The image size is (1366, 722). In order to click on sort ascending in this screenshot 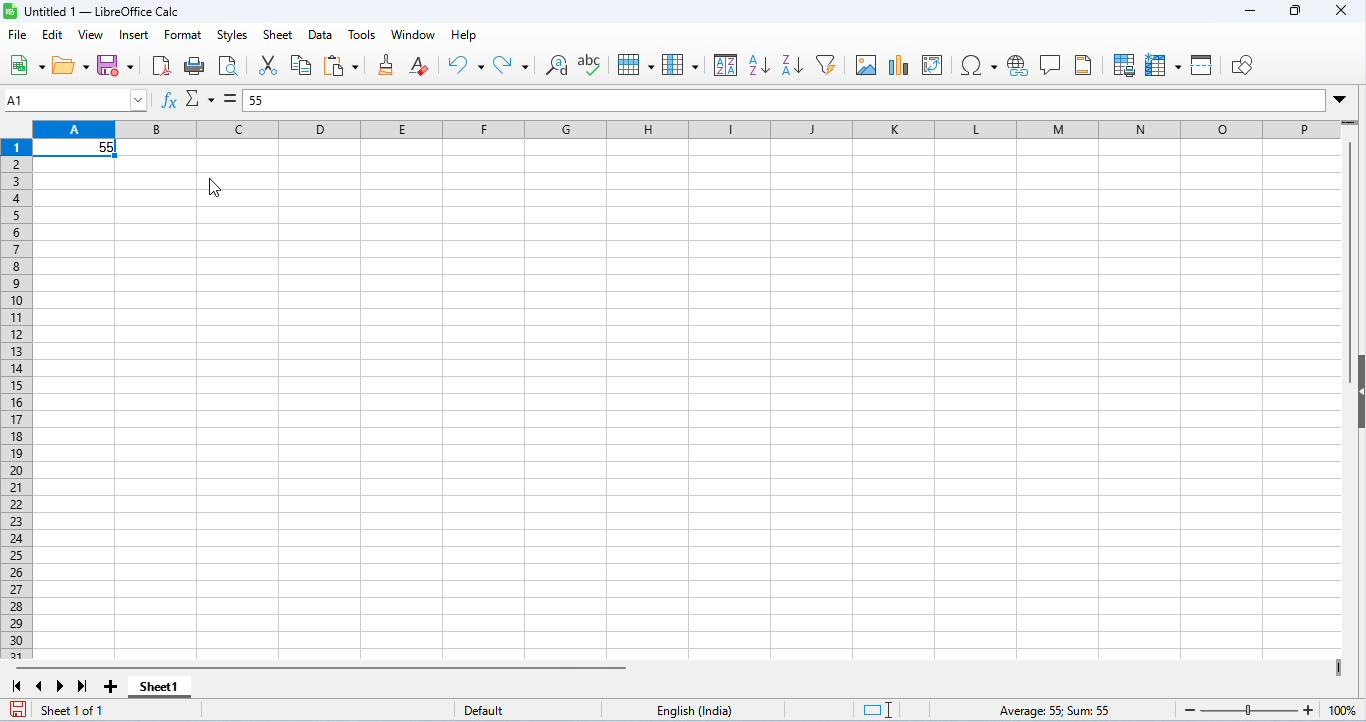, I will do `click(759, 65)`.